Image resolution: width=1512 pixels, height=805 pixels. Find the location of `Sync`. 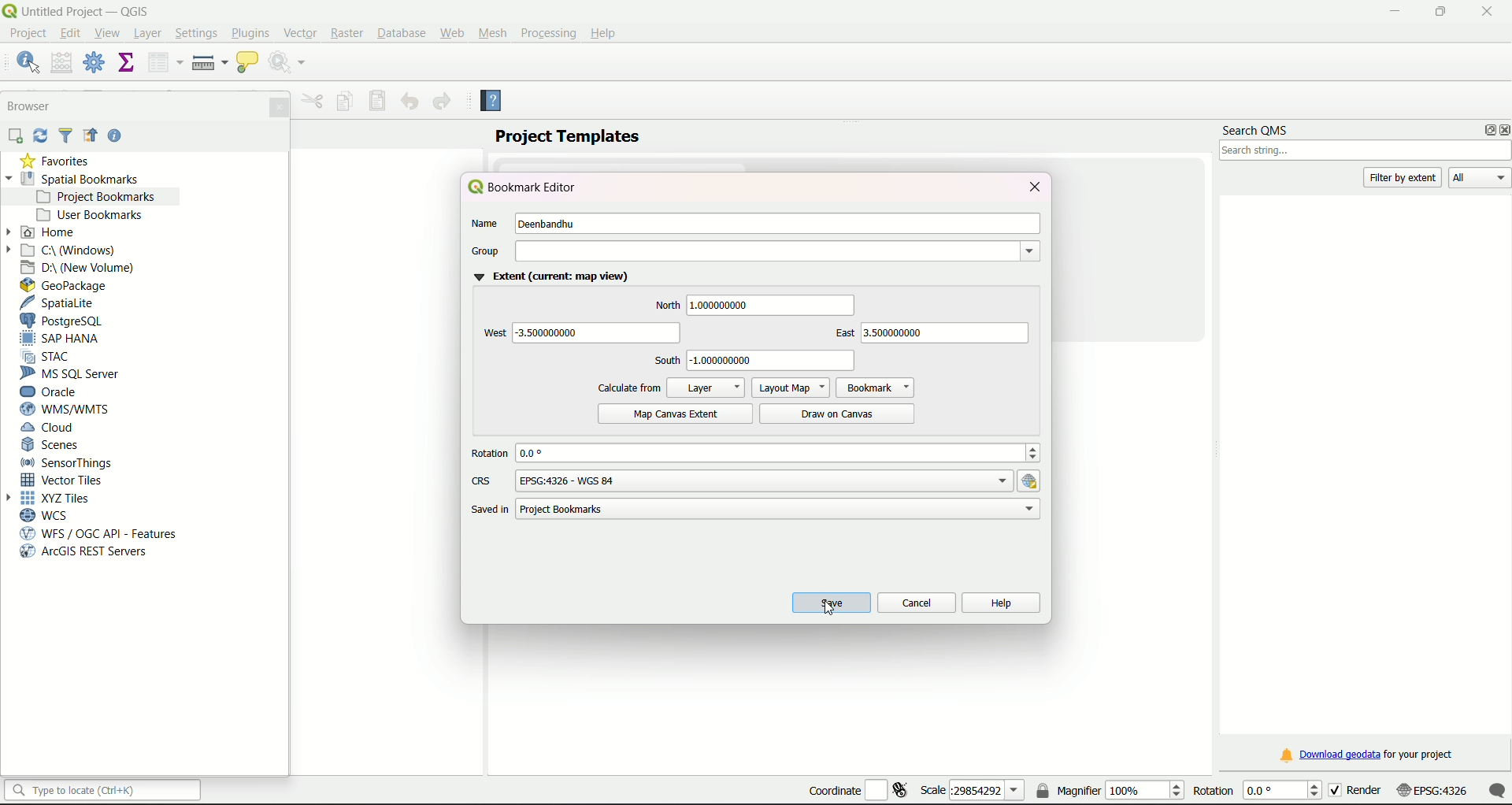

Sync is located at coordinates (41, 135).